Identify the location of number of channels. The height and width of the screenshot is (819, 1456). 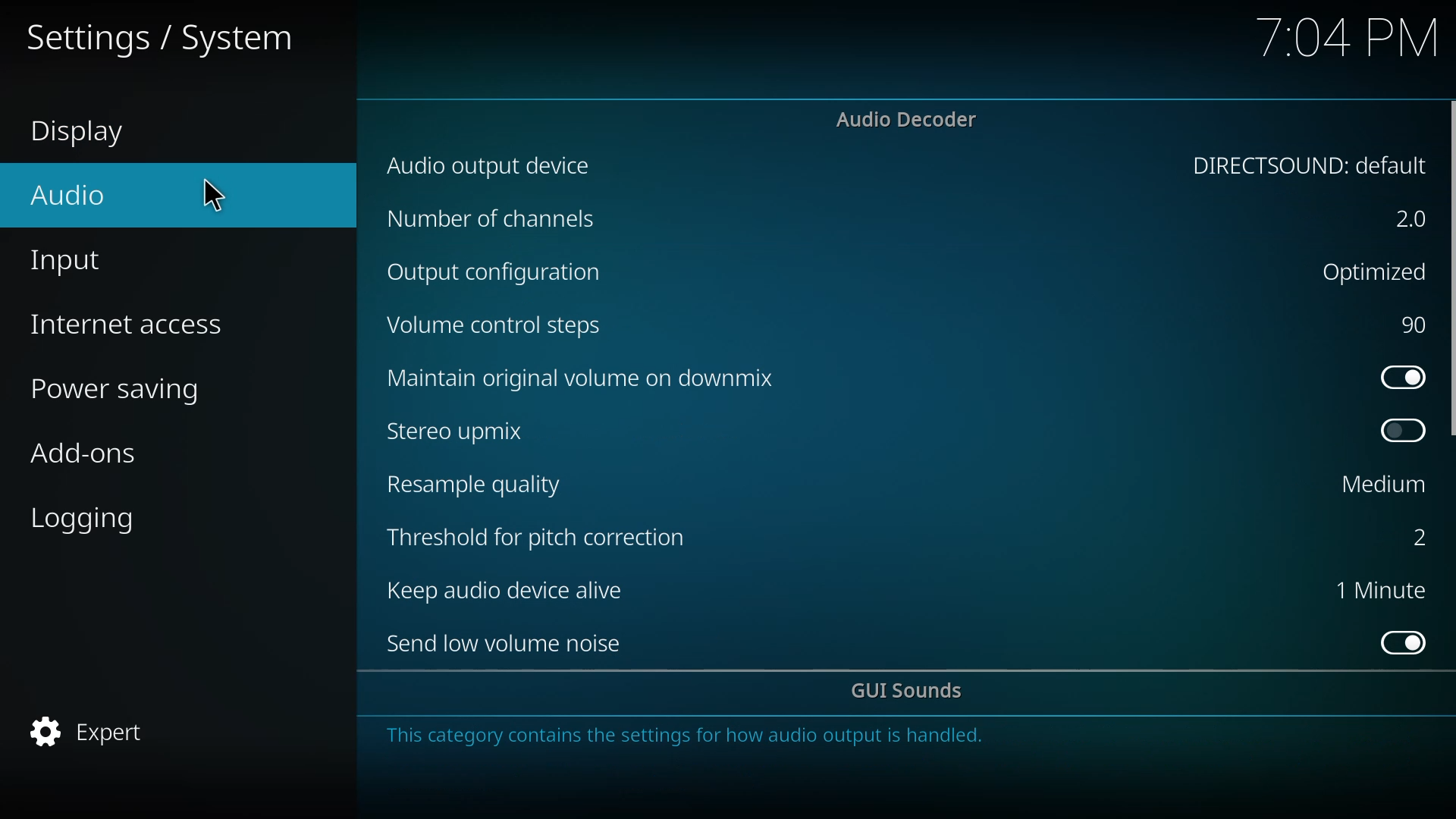
(492, 221).